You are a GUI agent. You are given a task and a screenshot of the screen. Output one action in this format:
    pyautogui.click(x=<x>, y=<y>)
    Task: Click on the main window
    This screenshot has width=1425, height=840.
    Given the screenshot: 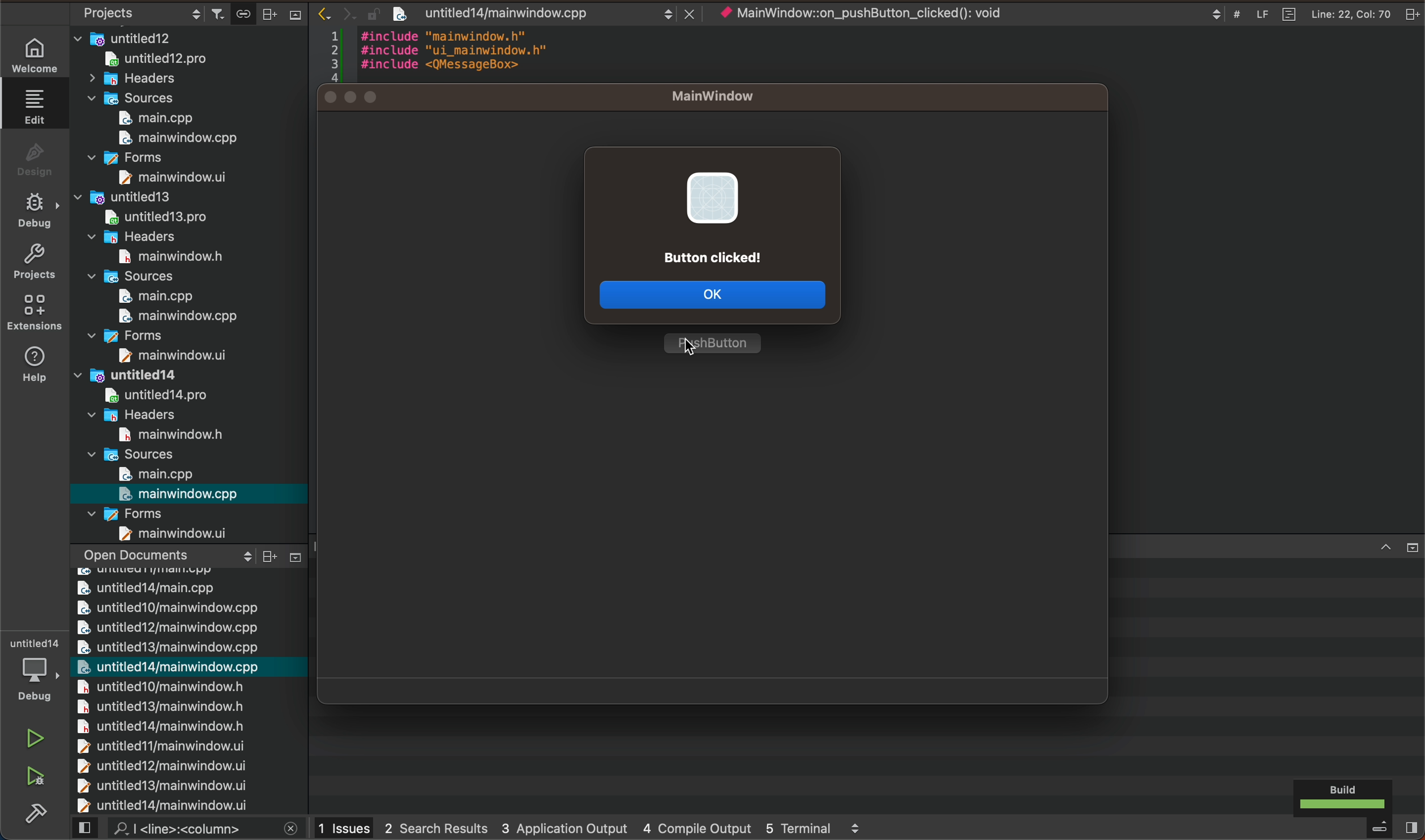 What is the action you would take?
    pyautogui.click(x=178, y=533)
    